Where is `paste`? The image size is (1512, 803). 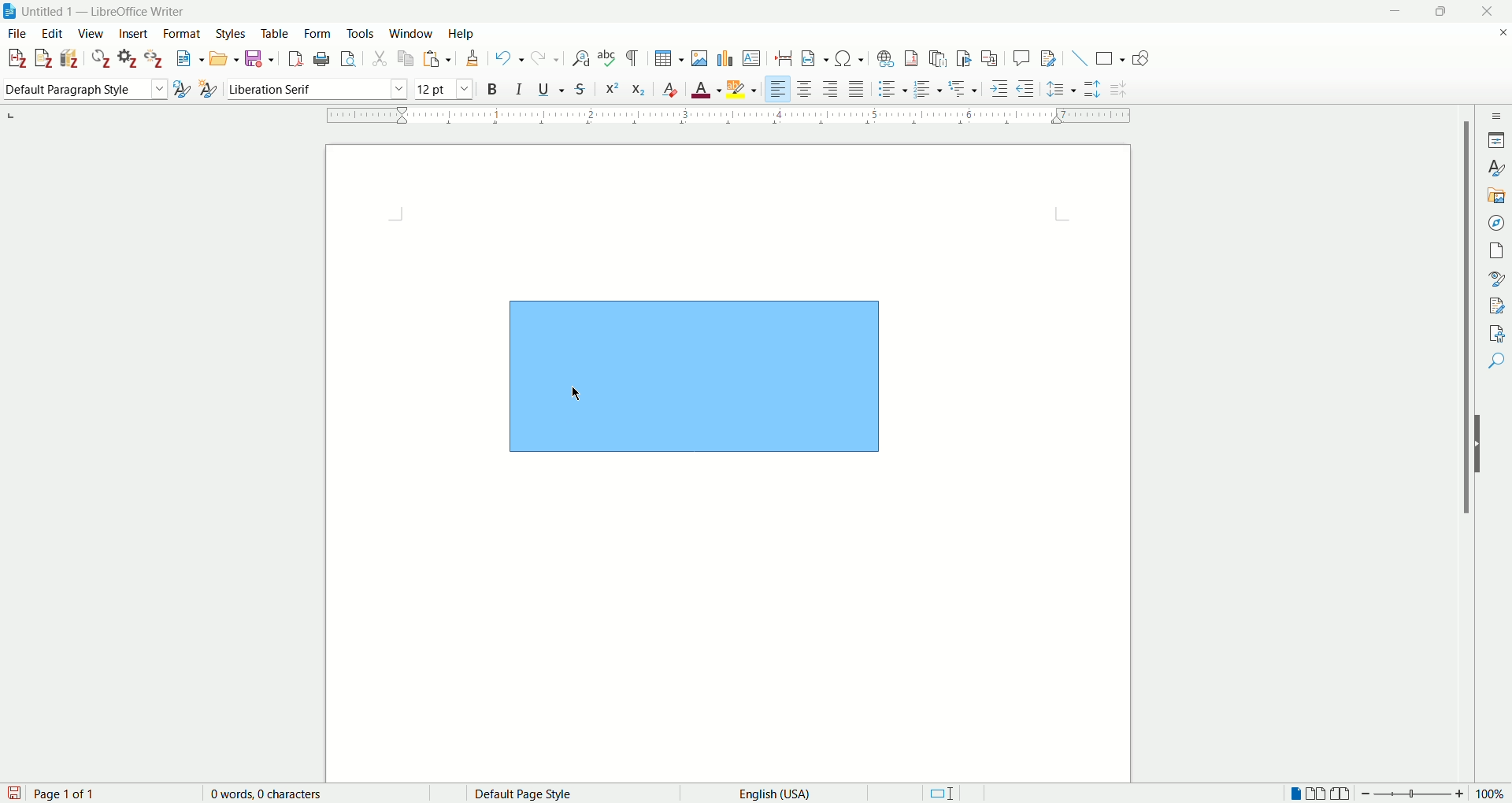
paste is located at coordinates (436, 58).